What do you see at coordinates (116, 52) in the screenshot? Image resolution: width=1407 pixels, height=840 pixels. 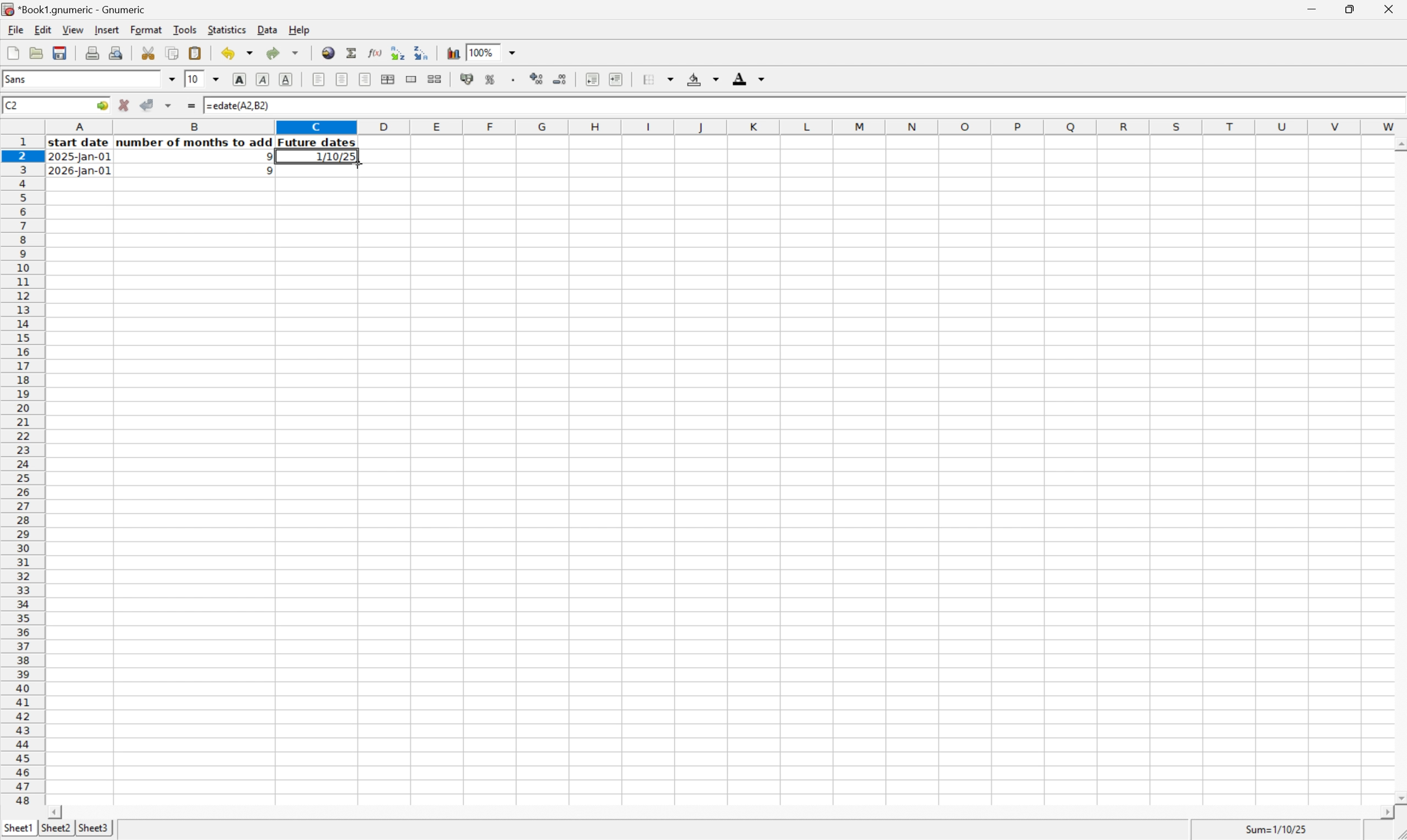 I see `Print preview` at bounding box center [116, 52].